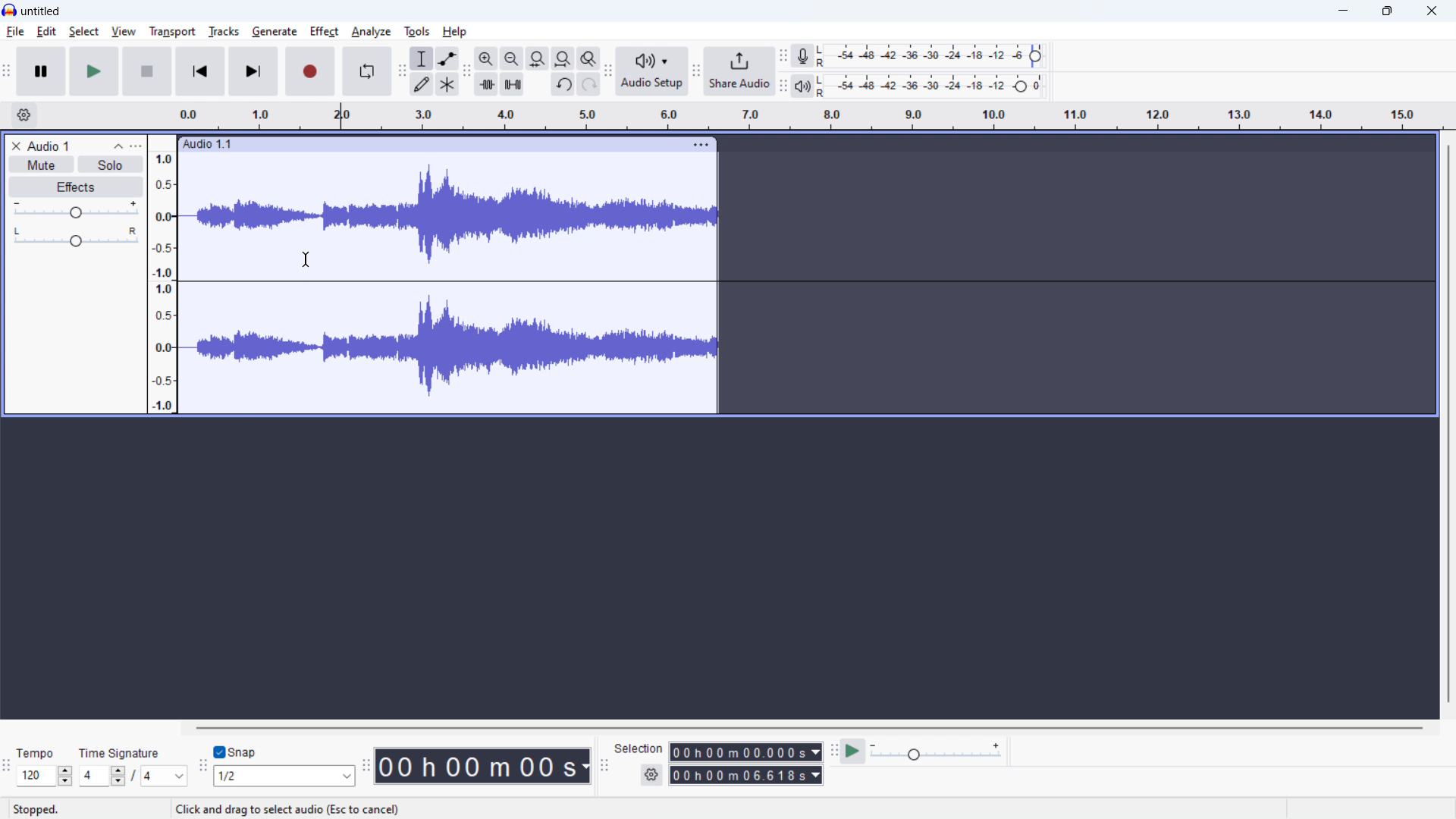 Image resolution: width=1456 pixels, height=819 pixels. I want to click on start time, so click(746, 752).